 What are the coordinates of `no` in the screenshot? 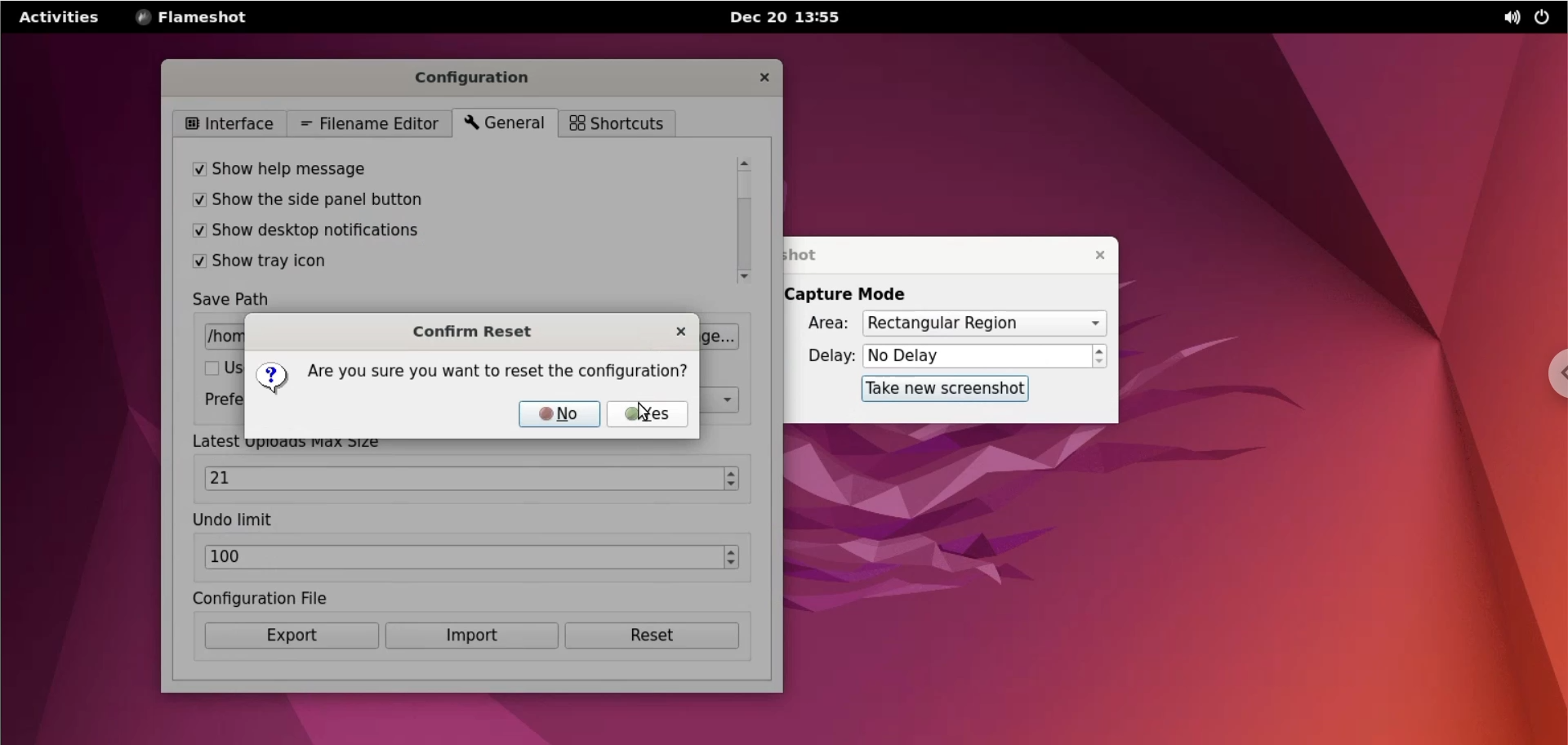 It's located at (563, 414).